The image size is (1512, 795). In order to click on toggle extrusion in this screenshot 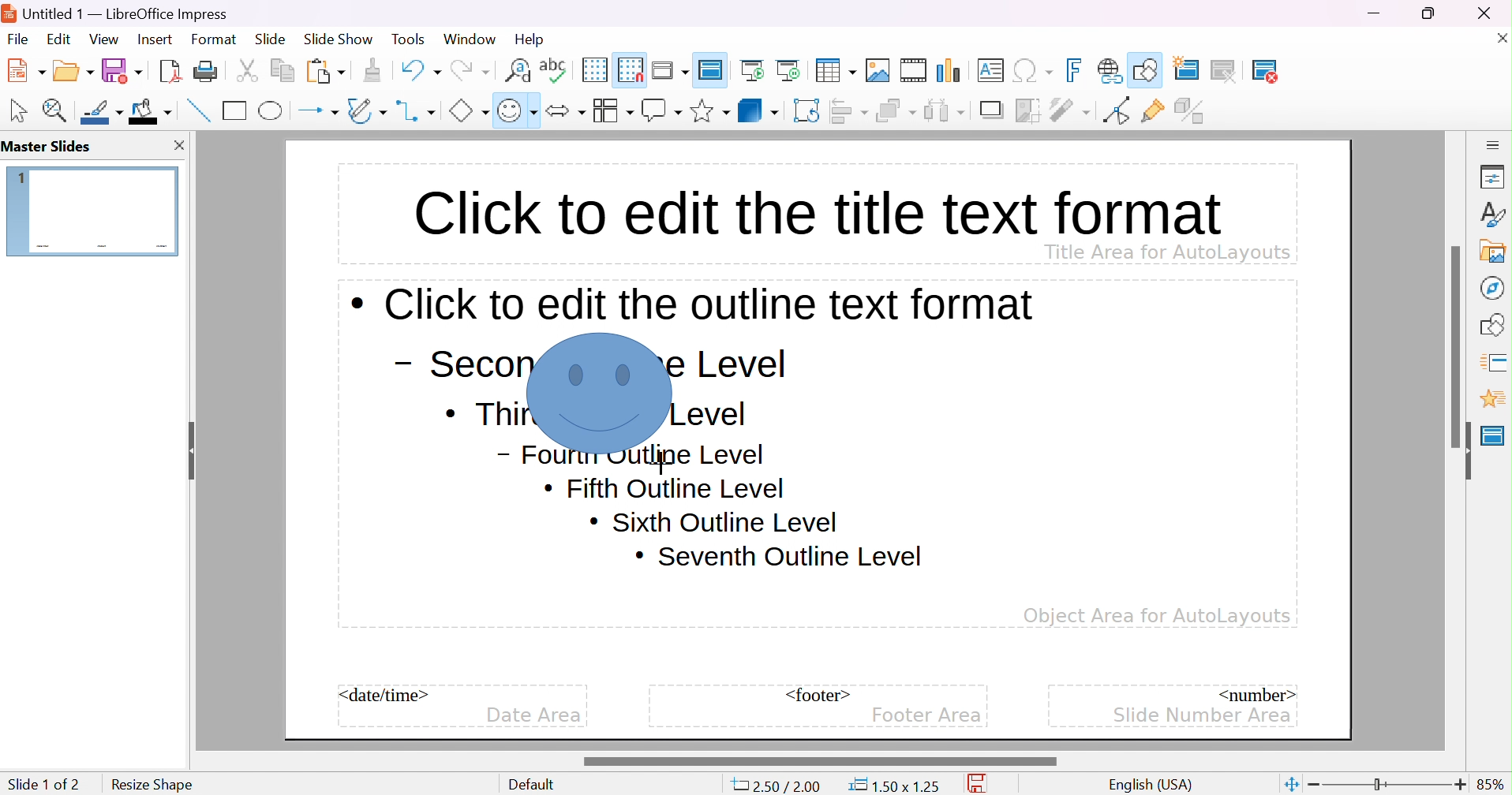, I will do `click(1192, 110)`.